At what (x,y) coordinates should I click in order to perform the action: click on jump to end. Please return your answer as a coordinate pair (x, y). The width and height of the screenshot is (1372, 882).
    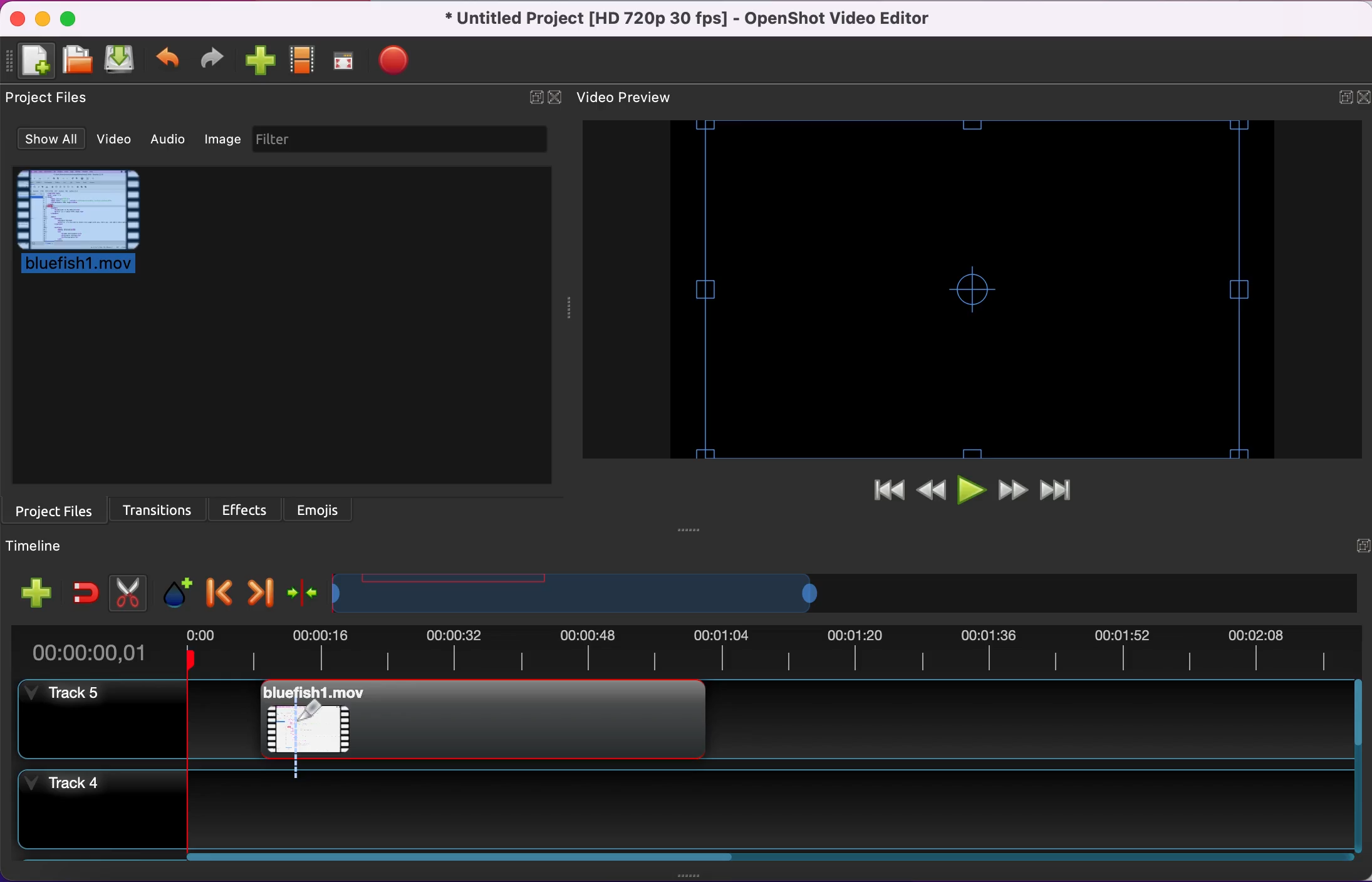
    Looking at the image, I should click on (1065, 491).